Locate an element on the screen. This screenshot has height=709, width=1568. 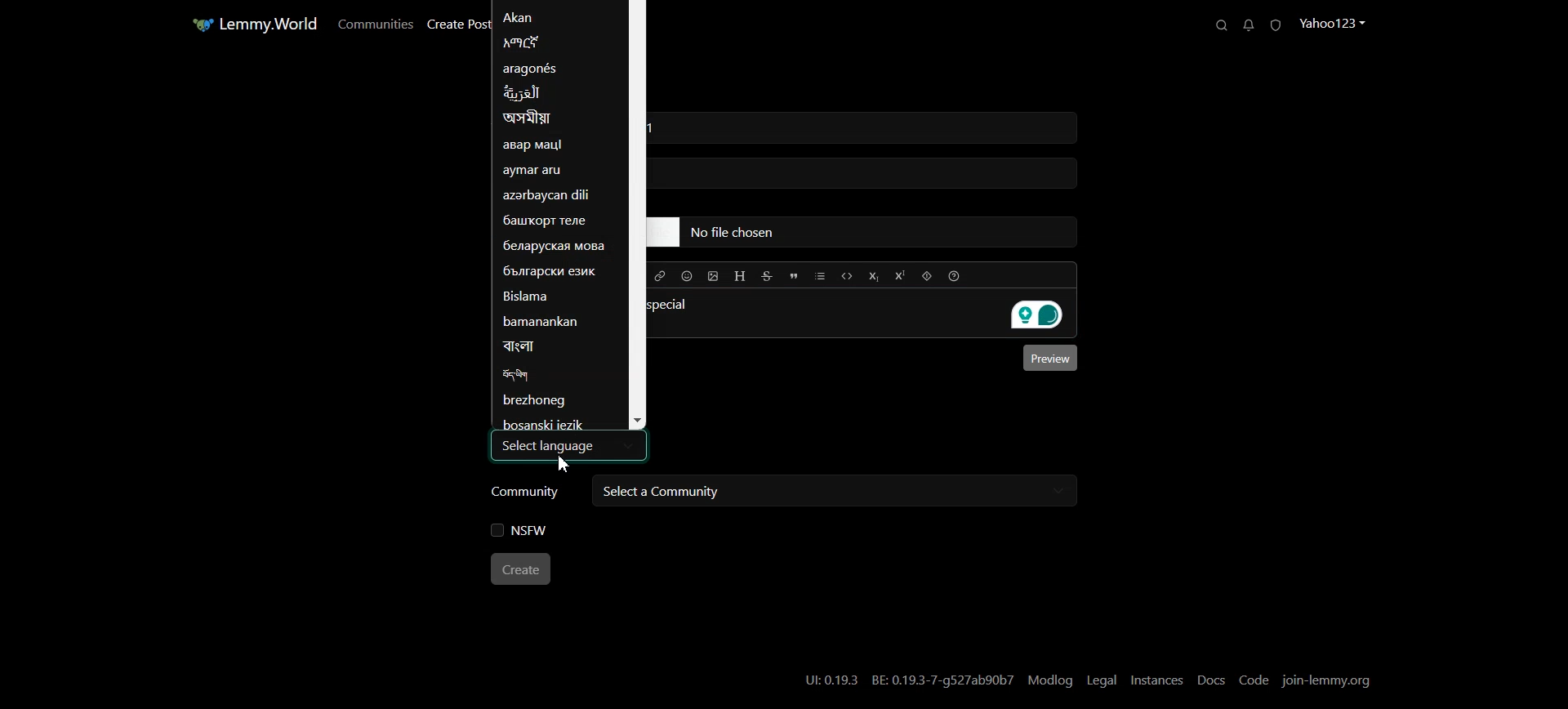
Strikethrough is located at coordinates (768, 276).